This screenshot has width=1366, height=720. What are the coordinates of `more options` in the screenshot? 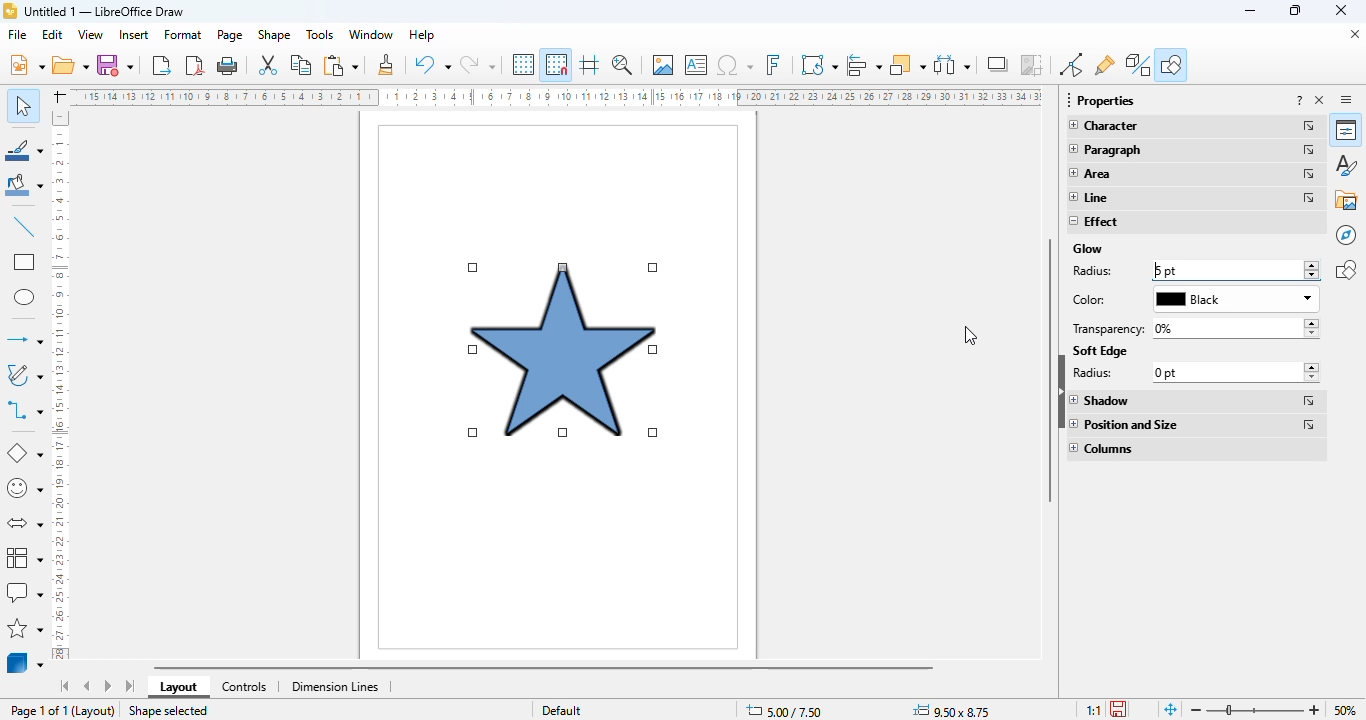 It's located at (1311, 400).